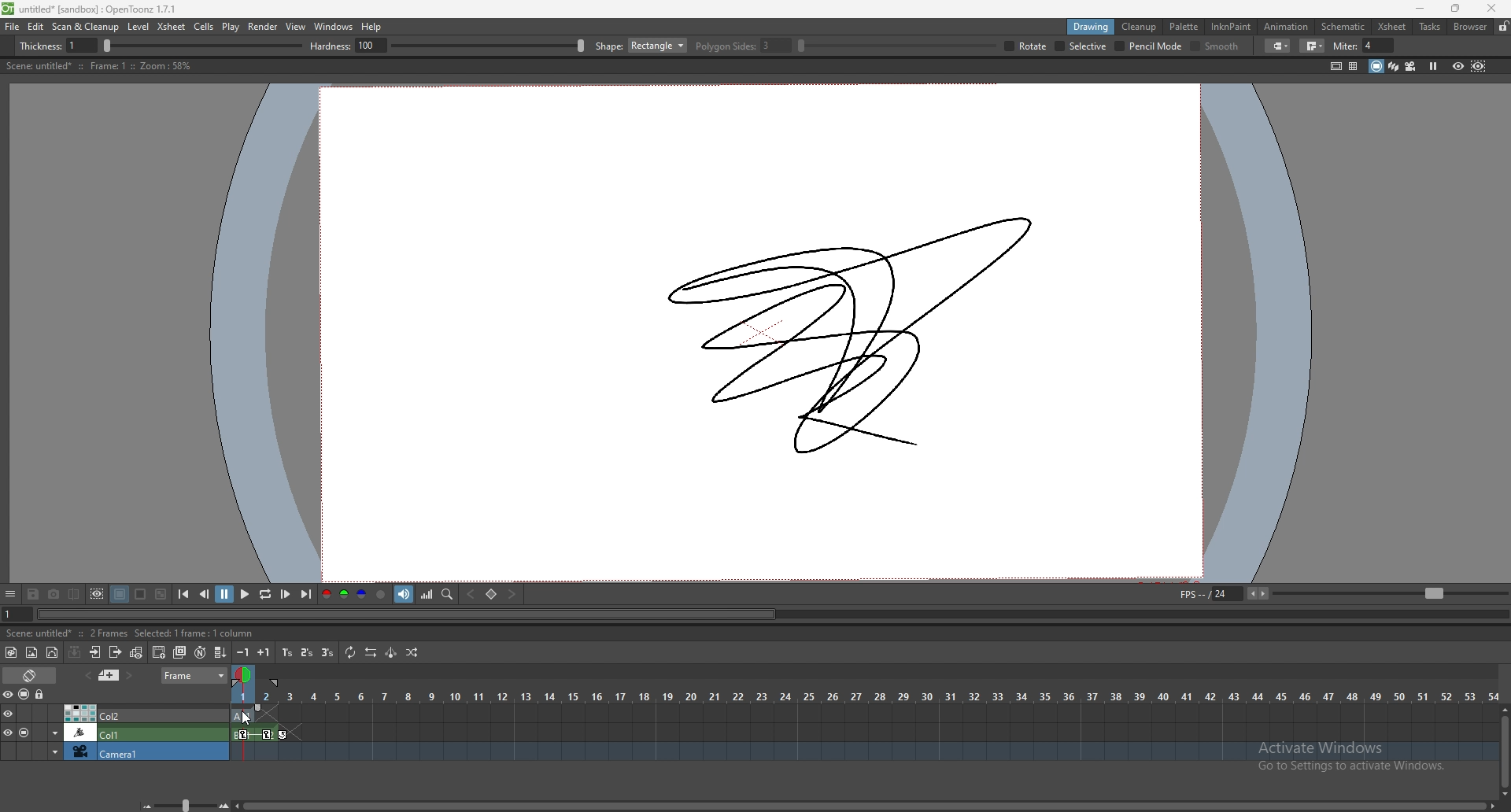  What do you see at coordinates (879, 714) in the screenshot?
I see `timeline` at bounding box center [879, 714].